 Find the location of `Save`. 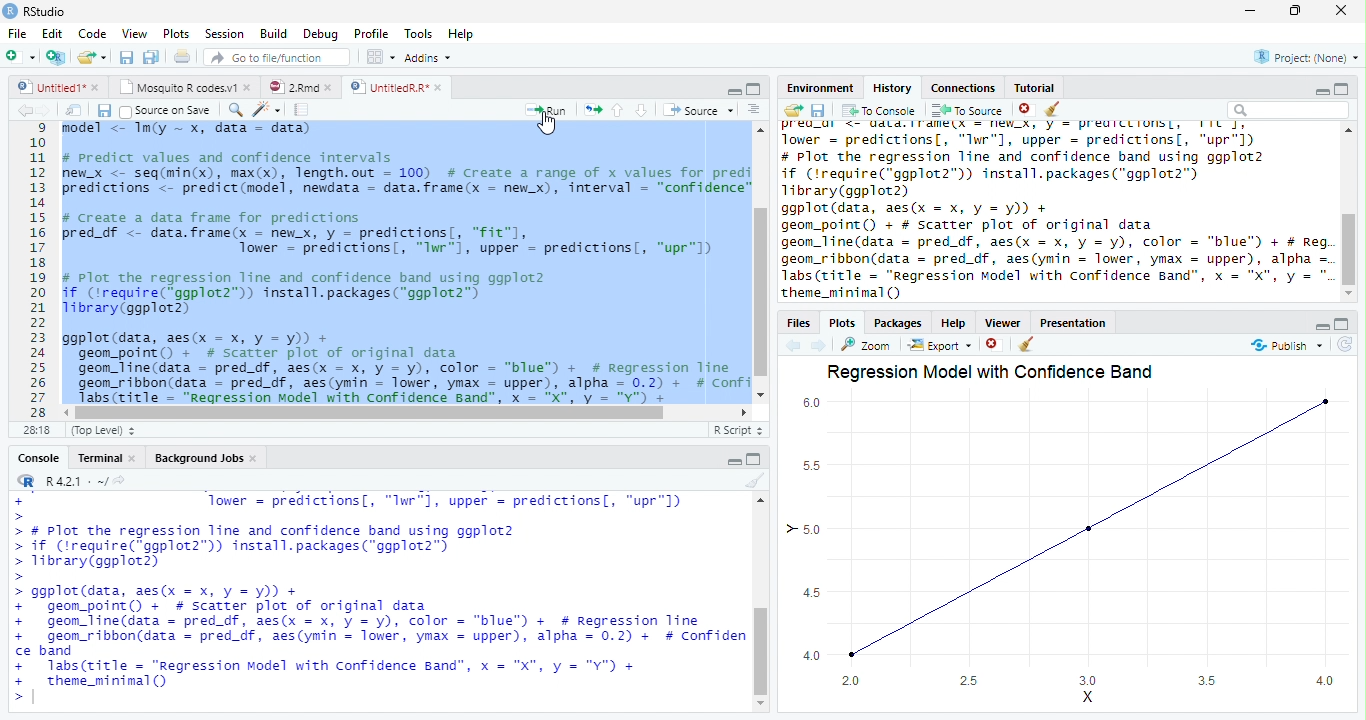

Save is located at coordinates (818, 113).